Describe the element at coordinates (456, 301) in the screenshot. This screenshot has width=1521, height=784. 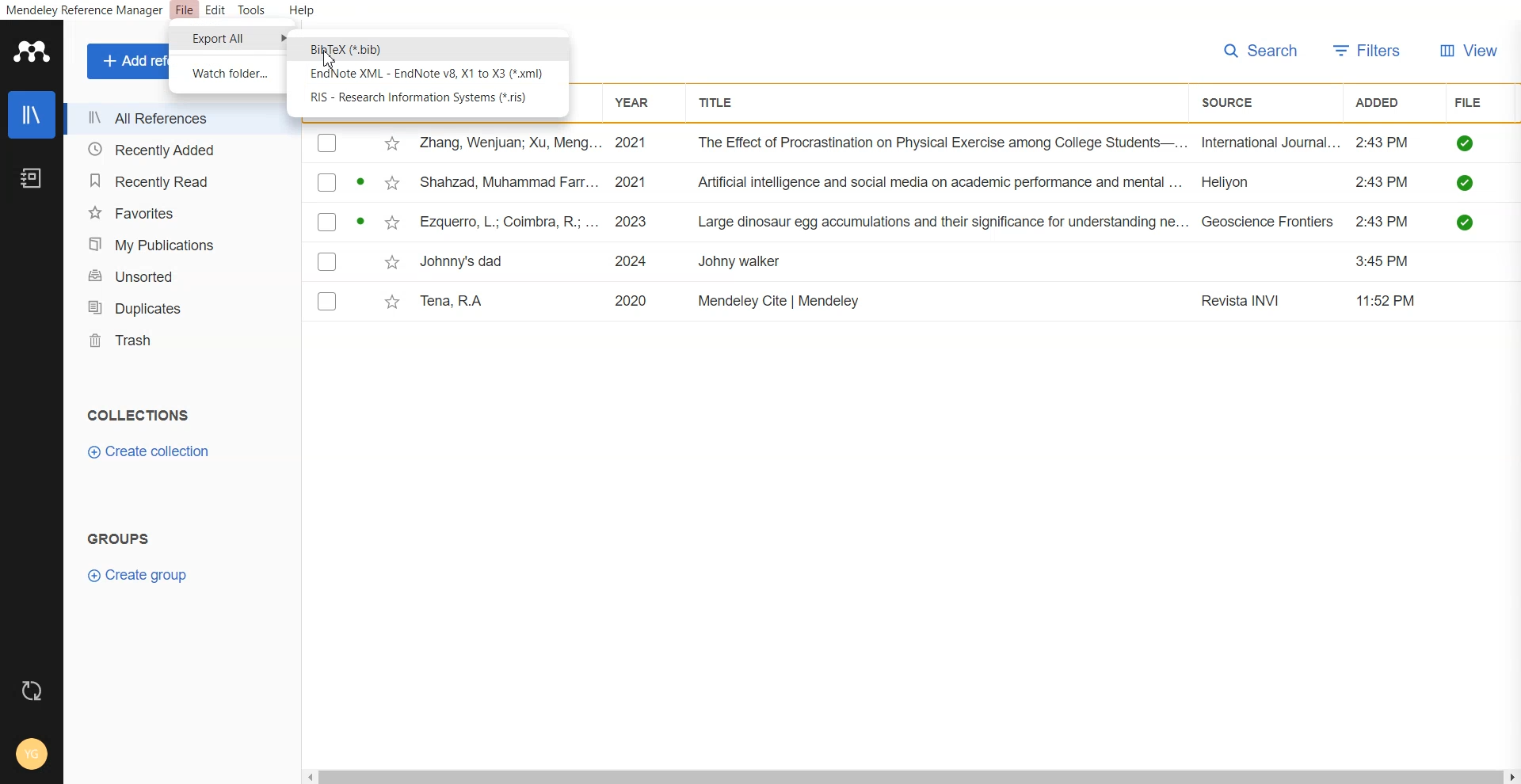
I see `Tena, RA` at that location.